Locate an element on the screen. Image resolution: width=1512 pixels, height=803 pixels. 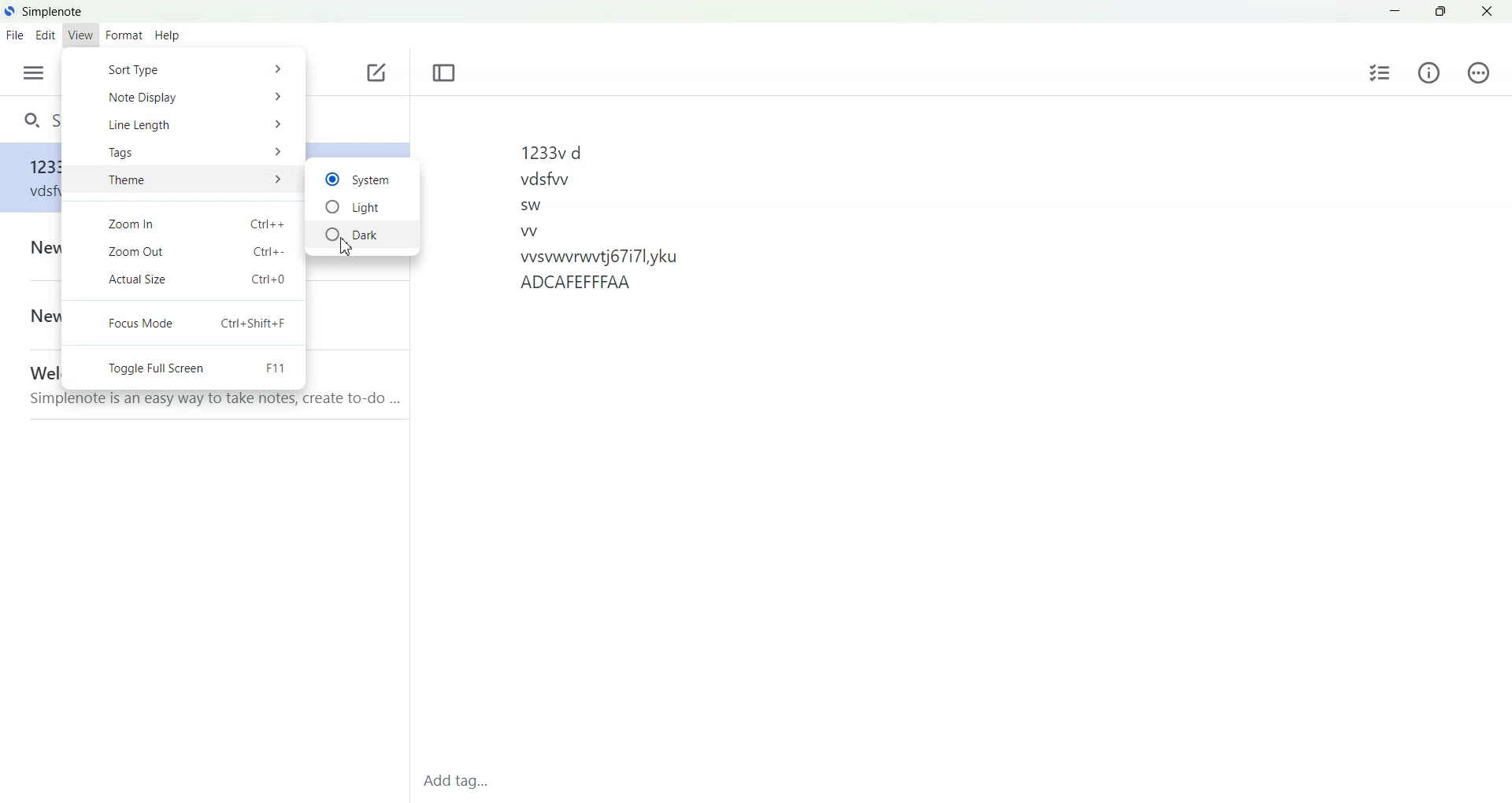
Cursor is located at coordinates (346, 246).